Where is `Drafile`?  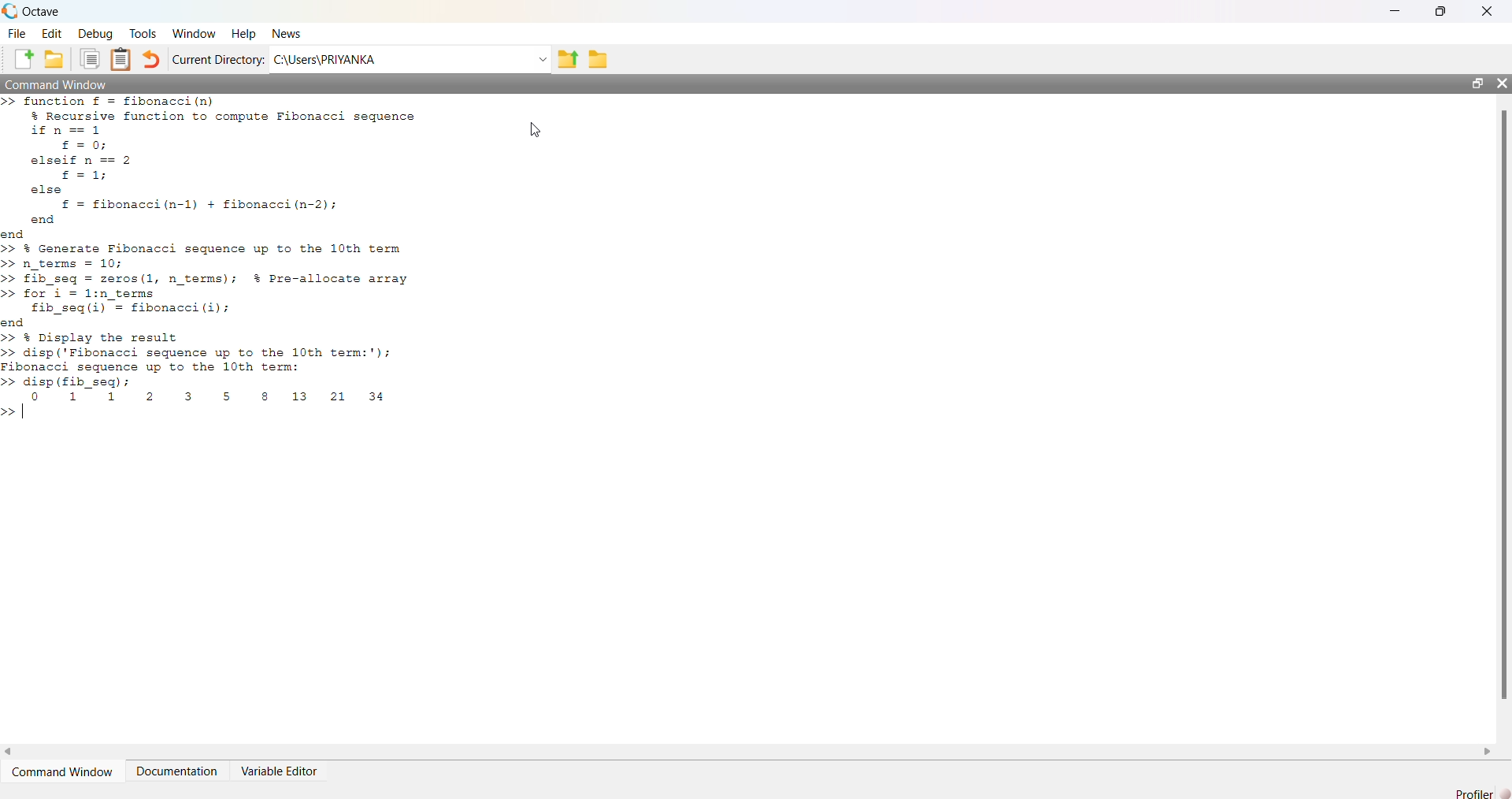
Drafile is located at coordinates (1467, 792).